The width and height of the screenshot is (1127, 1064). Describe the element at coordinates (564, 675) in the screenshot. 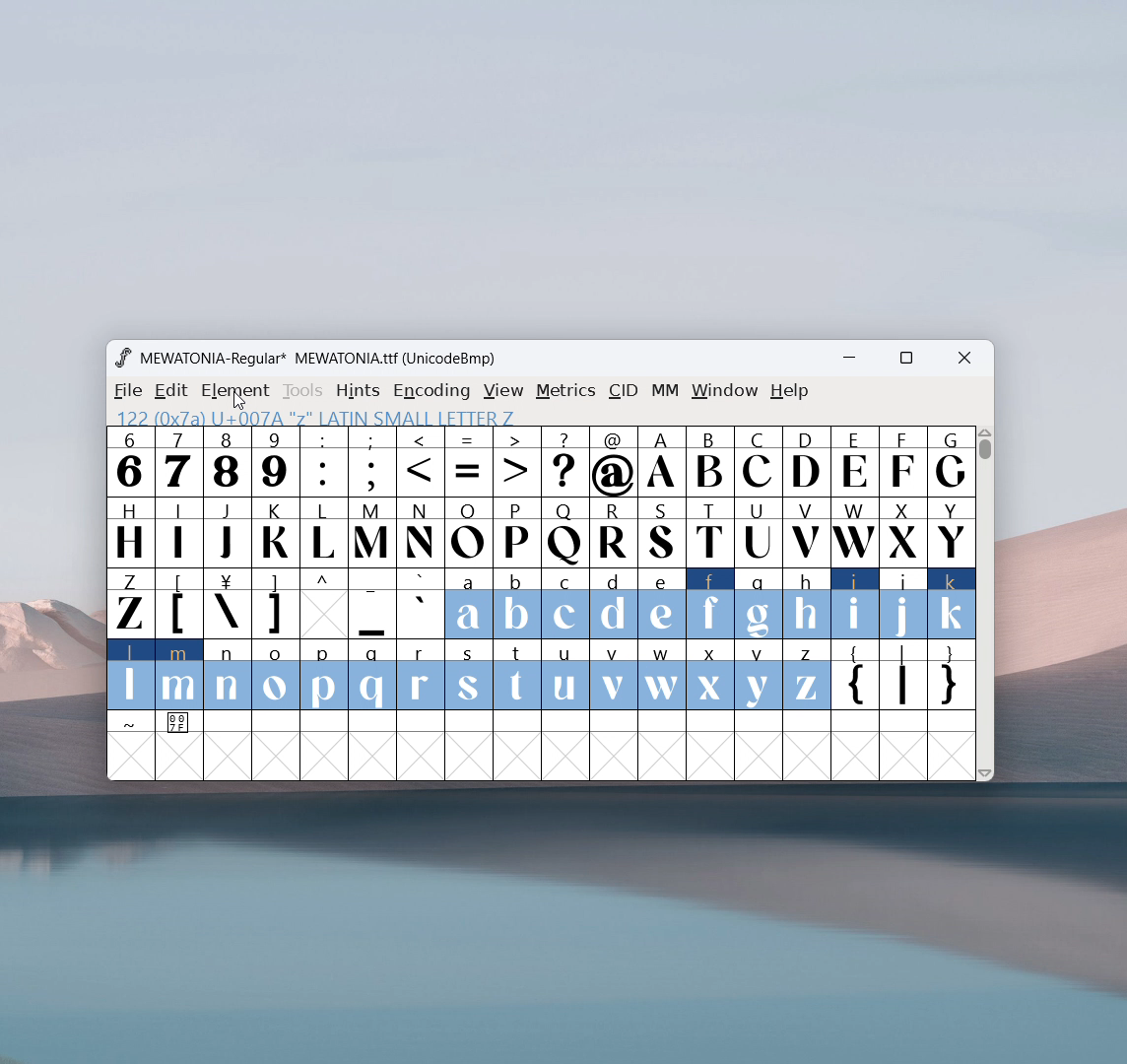

I see `u` at that location.